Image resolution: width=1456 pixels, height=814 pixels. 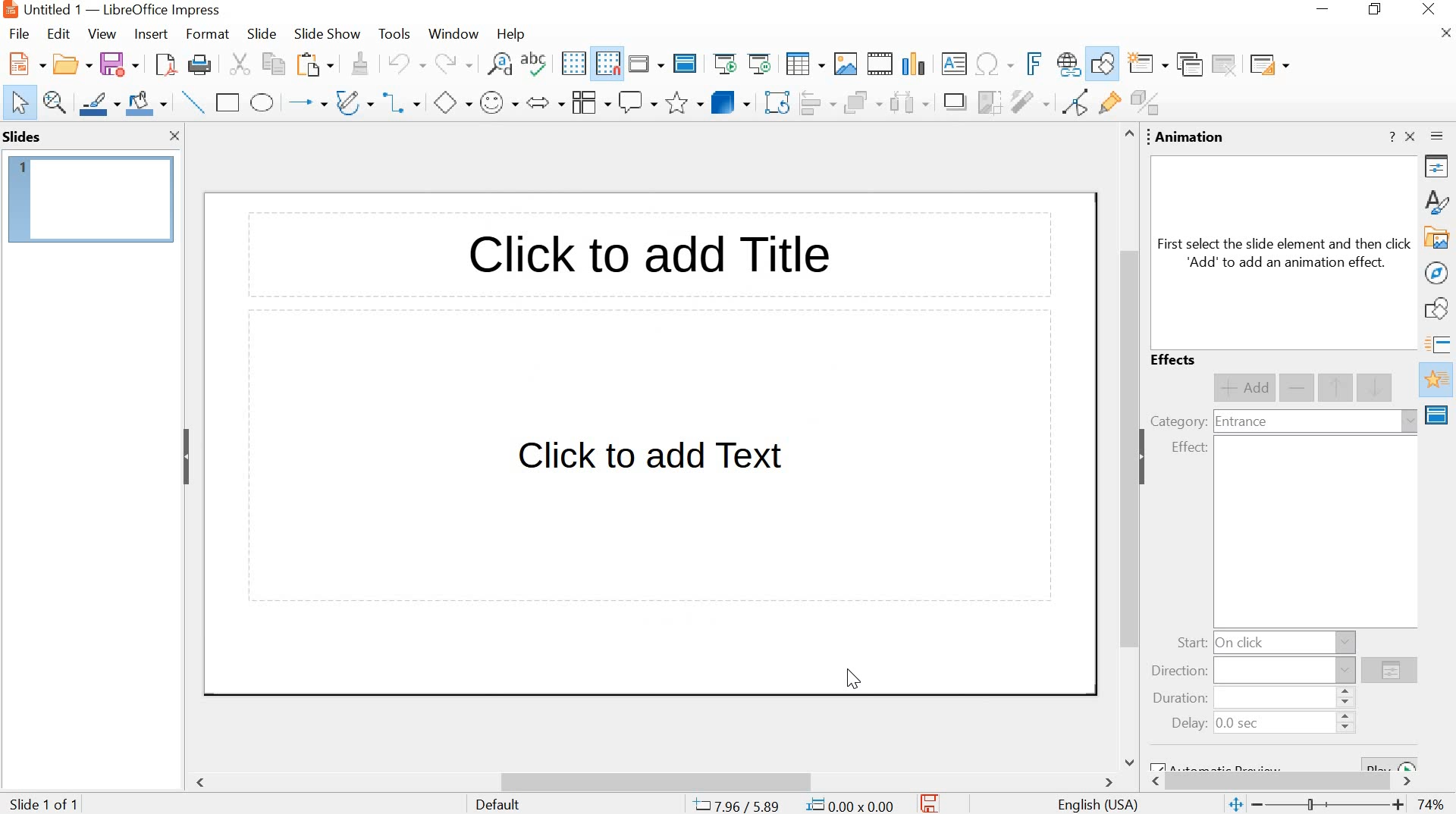 I want to click on toggle point edit mode, so click(x=1072, y=105).